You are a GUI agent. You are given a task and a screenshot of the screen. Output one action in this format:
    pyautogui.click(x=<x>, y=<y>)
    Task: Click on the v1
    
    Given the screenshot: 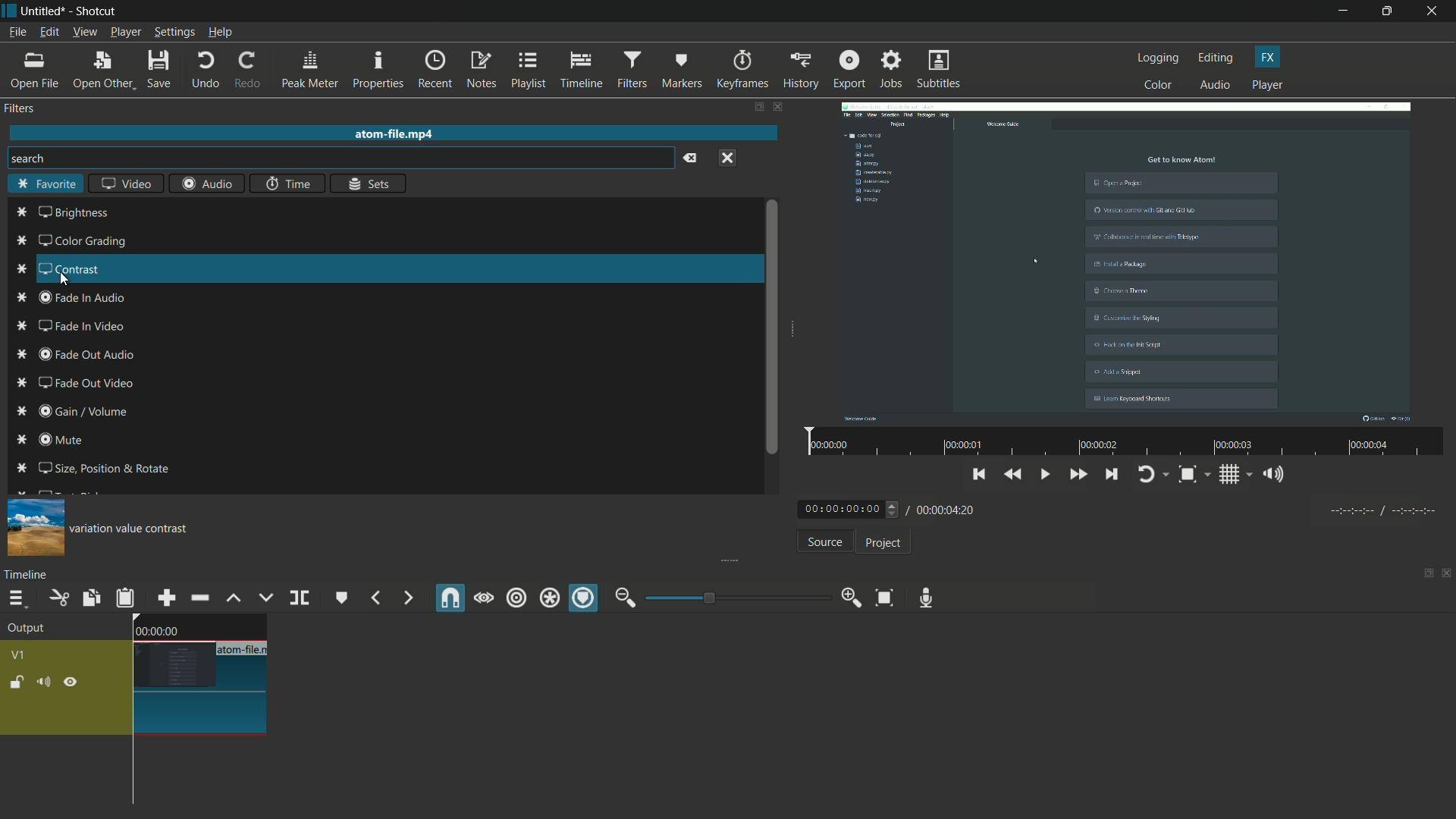 What is the action you would take?
    pyautogui.click(x=21, y=654)
    